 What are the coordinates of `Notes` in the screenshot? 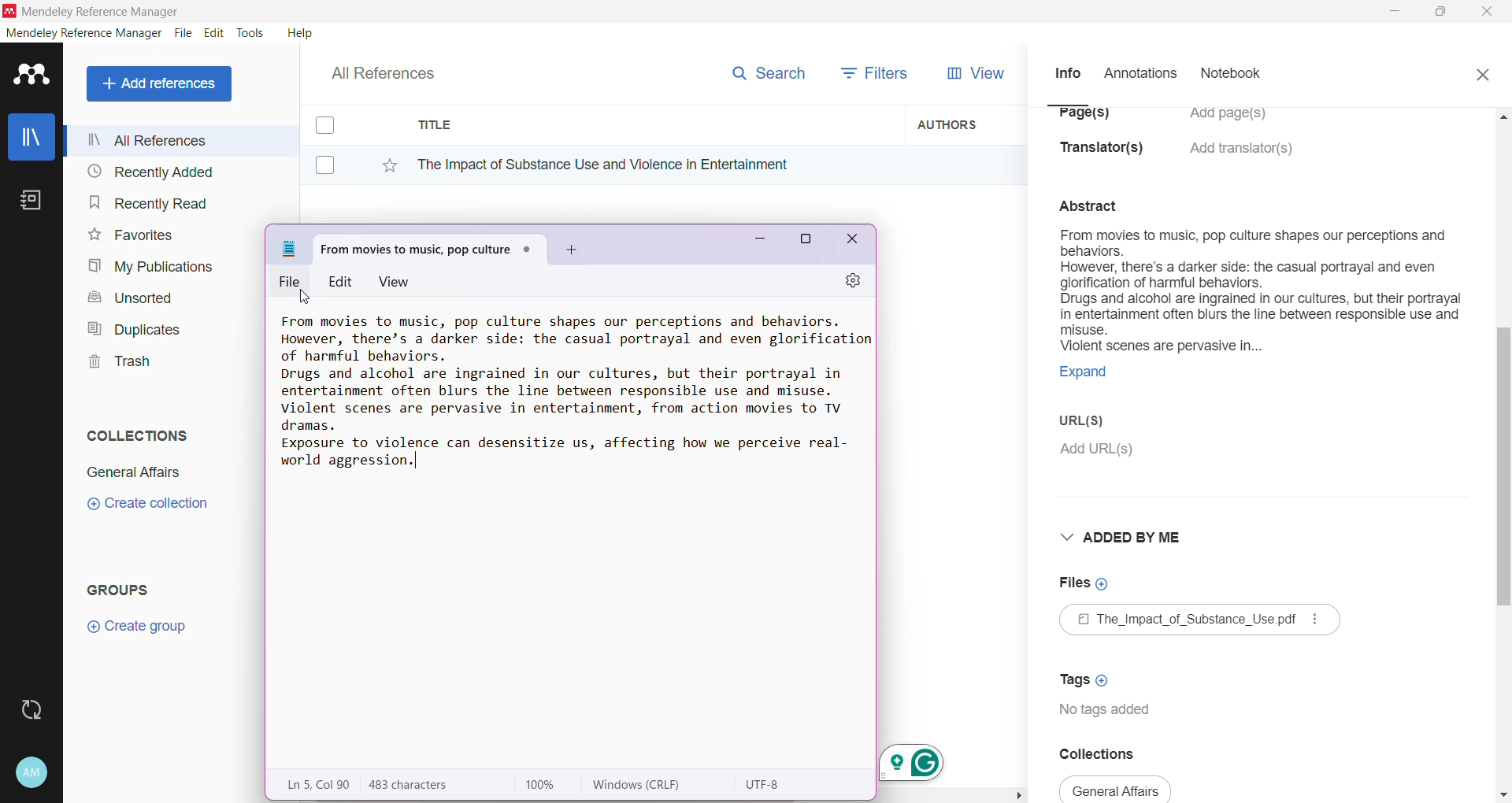 It's located at (35, 202).